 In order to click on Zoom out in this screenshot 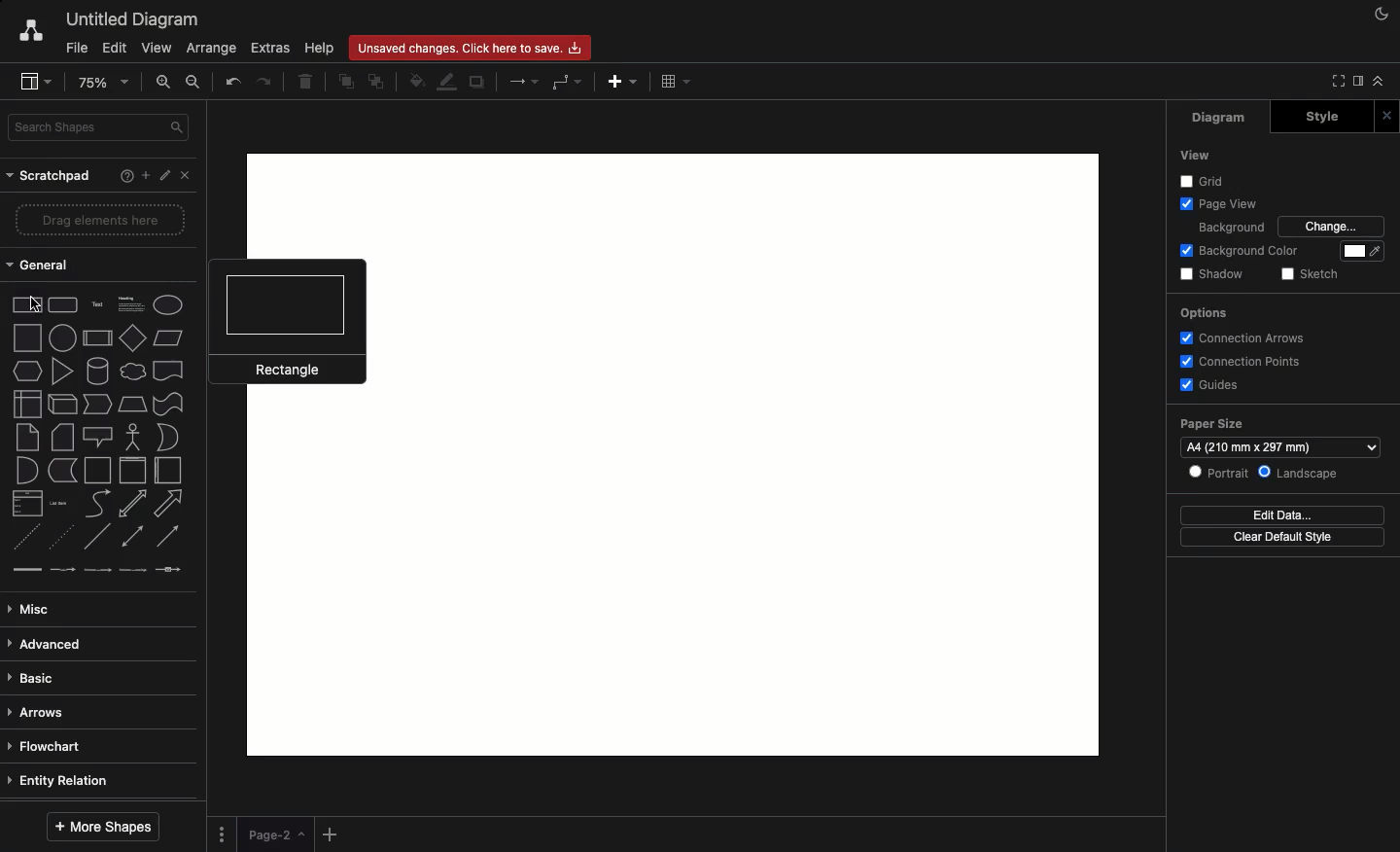, I will do `click(193, 82)`.